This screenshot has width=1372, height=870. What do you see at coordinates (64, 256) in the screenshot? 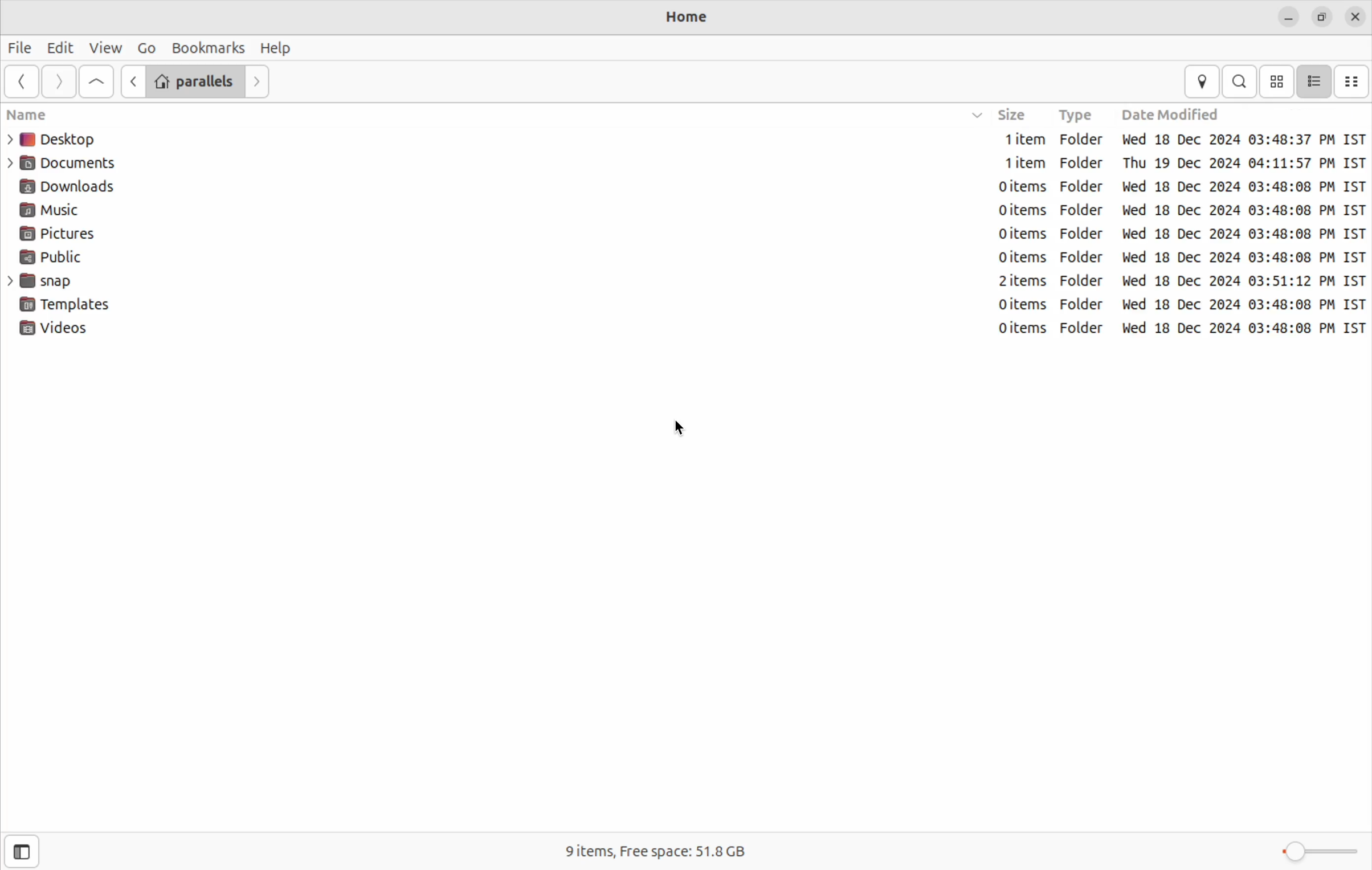
I see `Public` at bounding box center [64, 256].